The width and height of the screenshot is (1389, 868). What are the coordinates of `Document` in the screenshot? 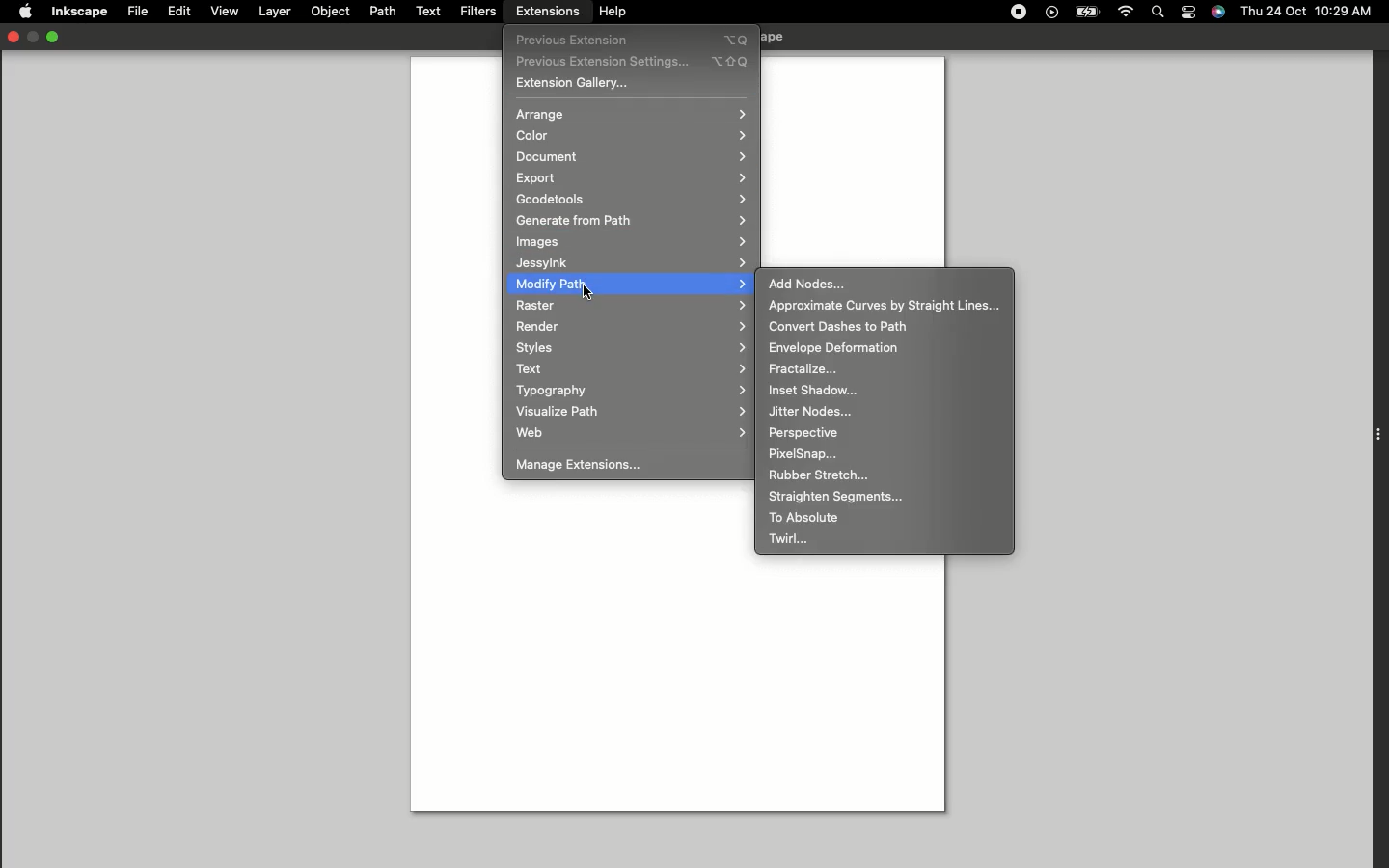 It's located at (631, 156).